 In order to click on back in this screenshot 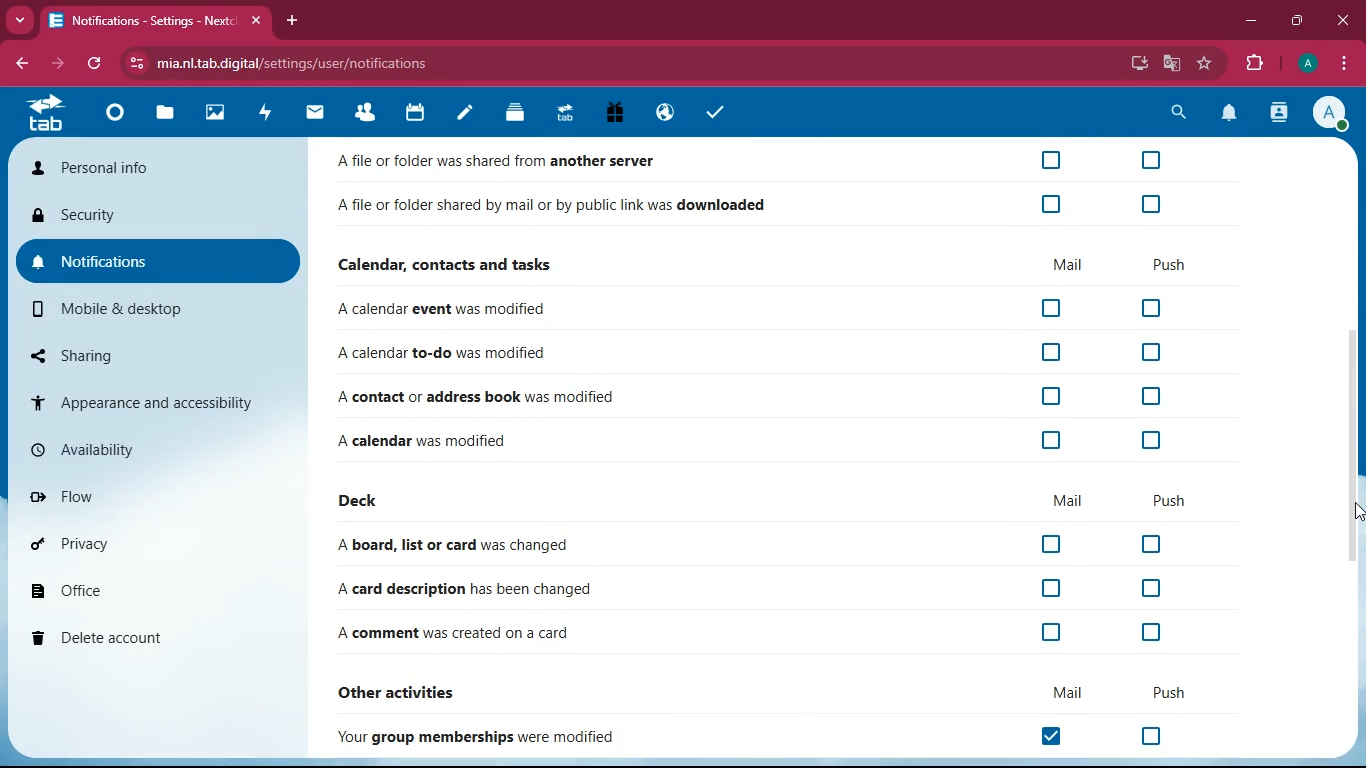, I will do `click(19, 63)`.